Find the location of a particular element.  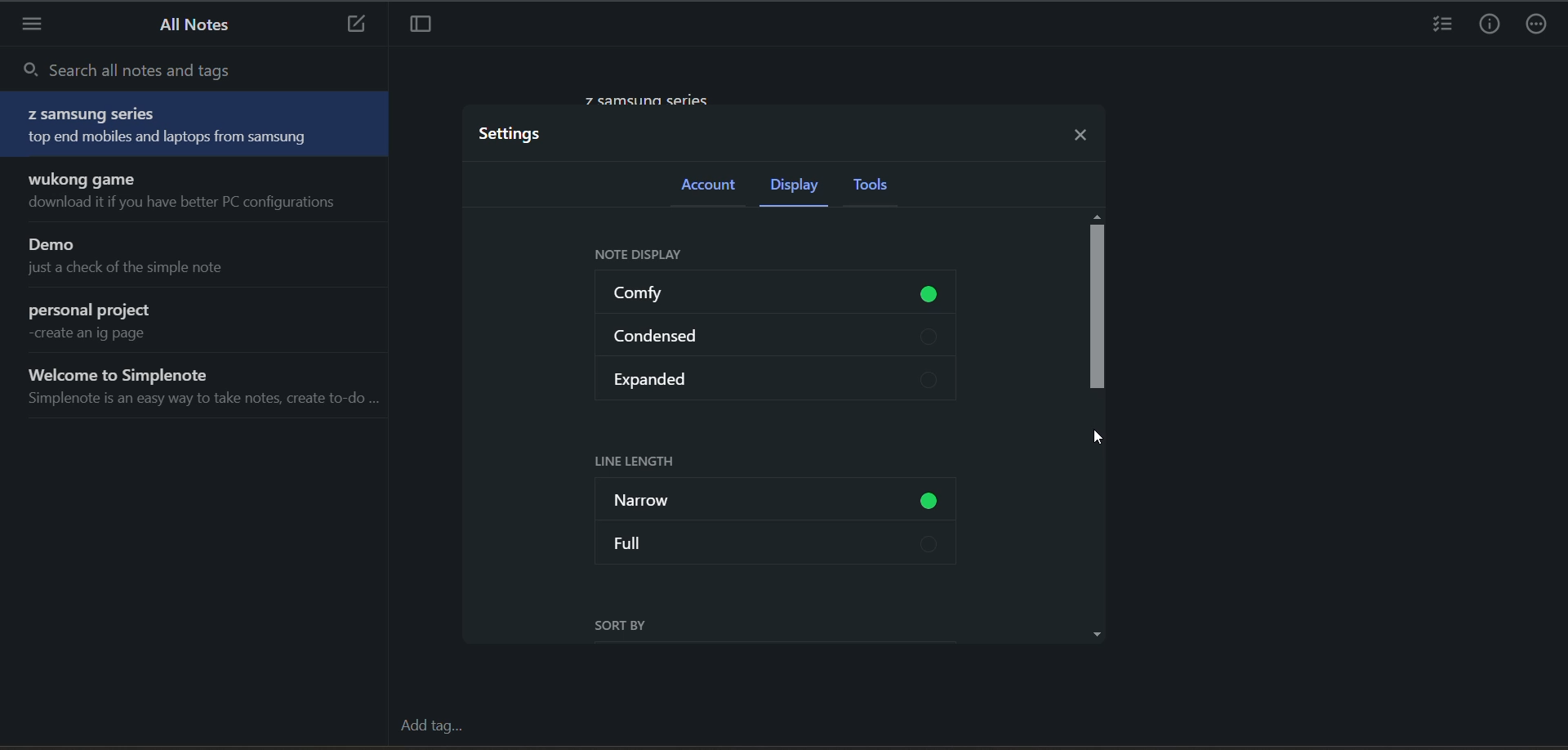

account is located at coordinates (715, 189).